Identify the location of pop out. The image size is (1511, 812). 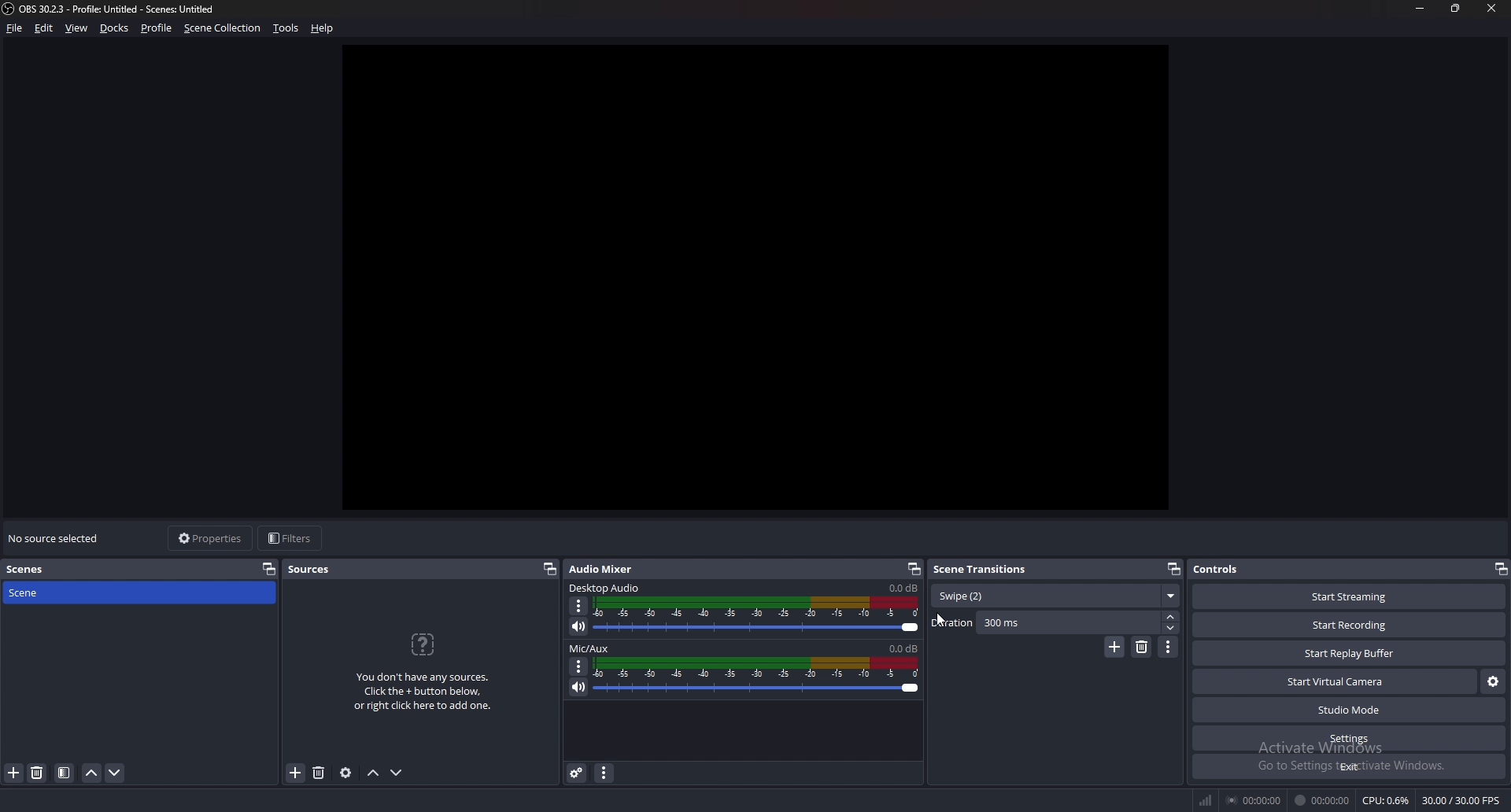
(914, 570).